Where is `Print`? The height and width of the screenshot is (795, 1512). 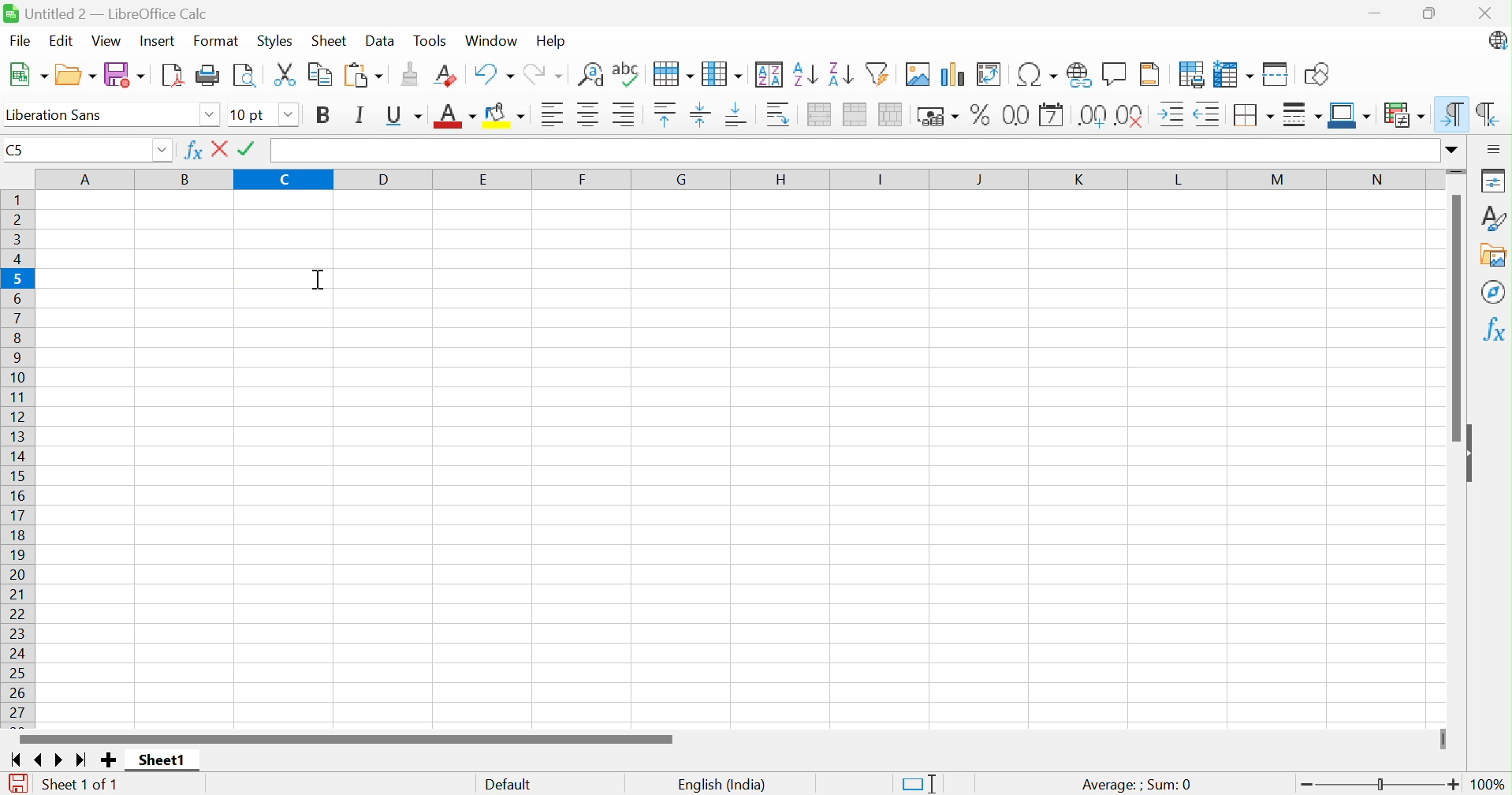
Print is located at coordinates (207, 75).